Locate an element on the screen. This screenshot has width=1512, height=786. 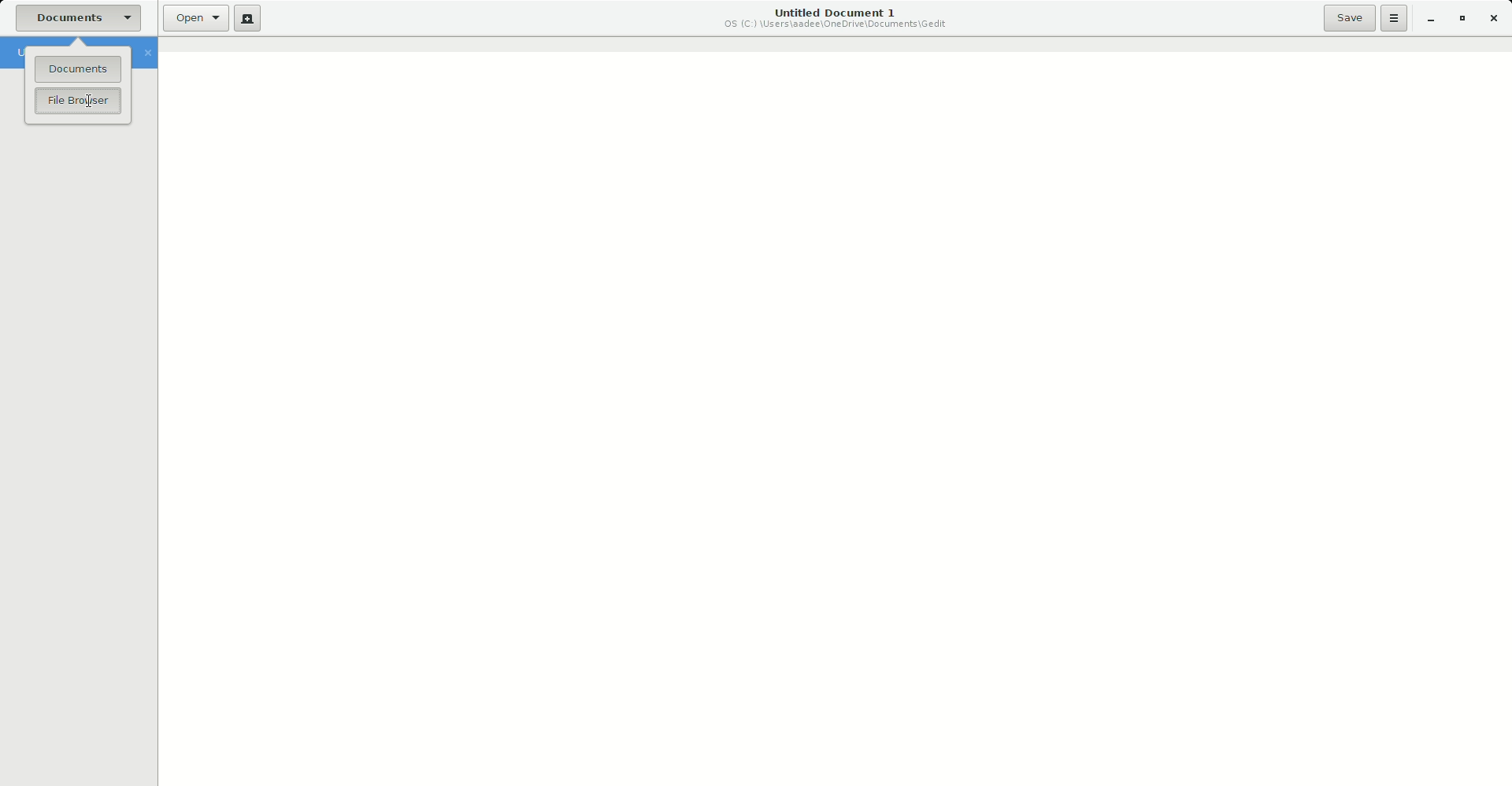
Open is located at coordinates (191, 20).